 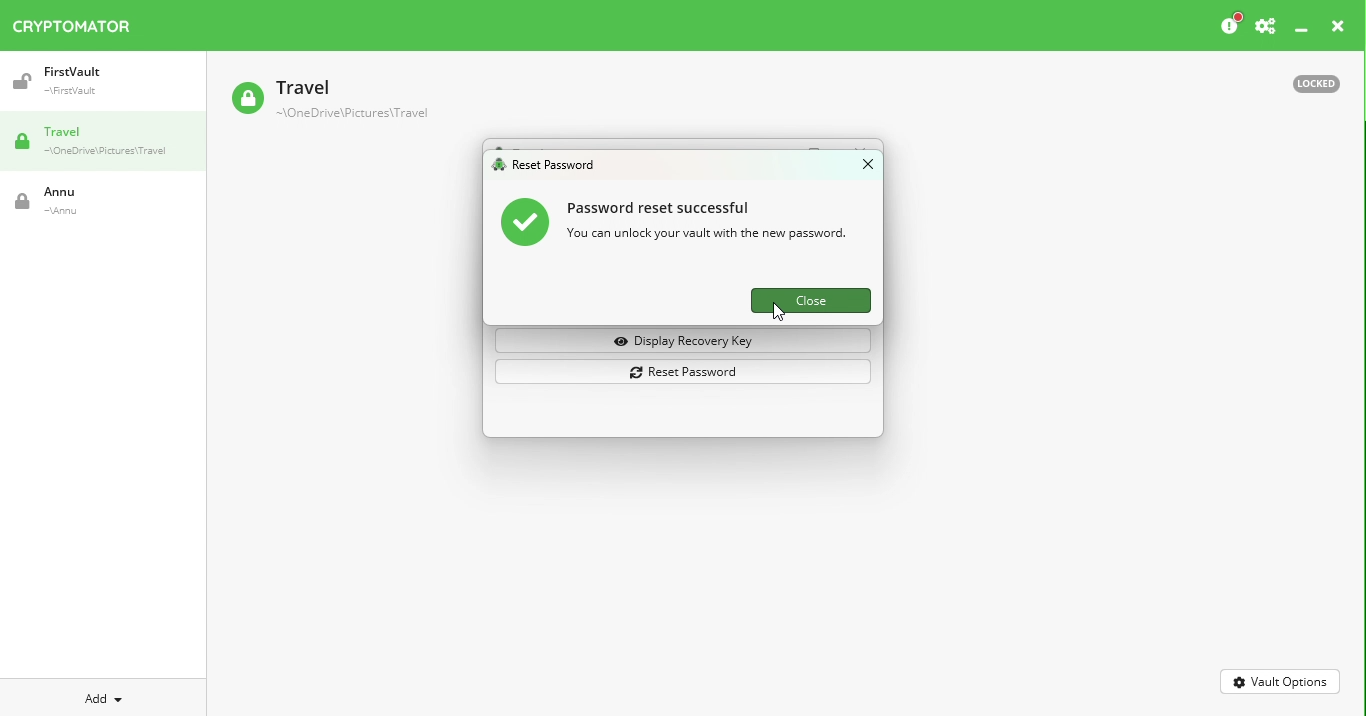 What do you see at coordinates (549, 166) in the screenshot?
I see `Reset password` at bounding box center [549, 166].